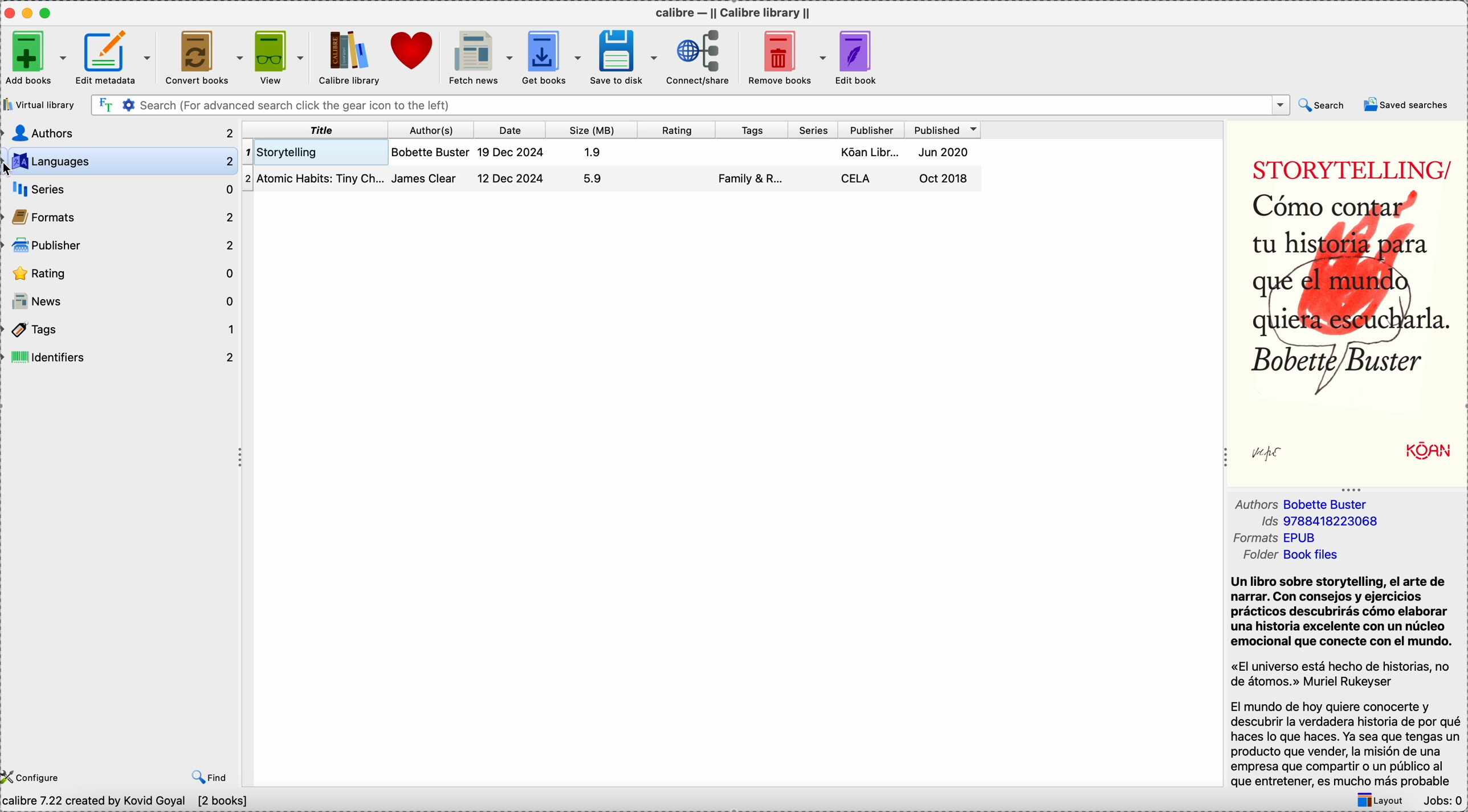 The image size is (1468, 812). What do you see at coordinates (1347, 302) in the screenshot?
I see `book cover preview` at bounding box center [1347, 302].